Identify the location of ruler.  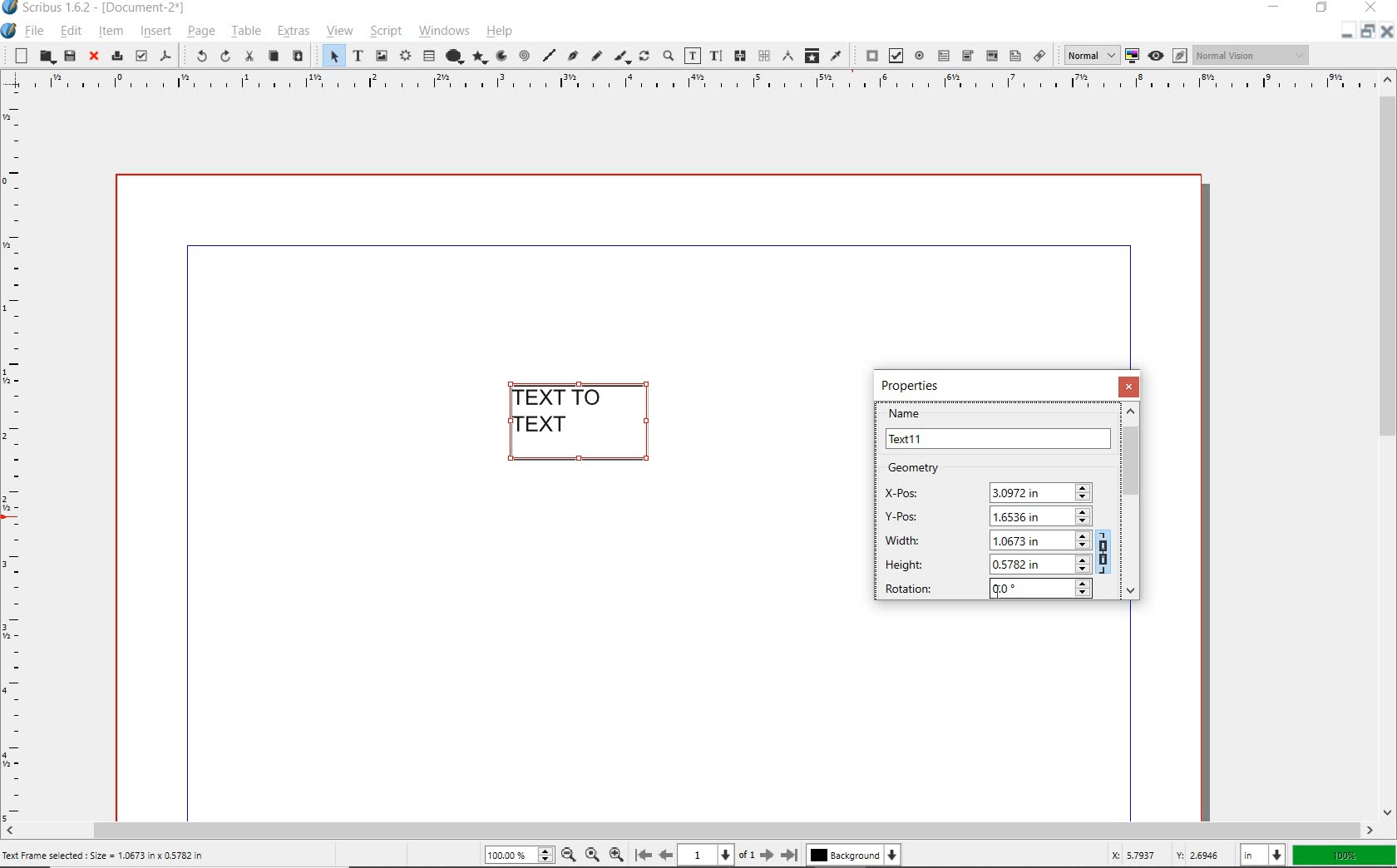
(17, 461).